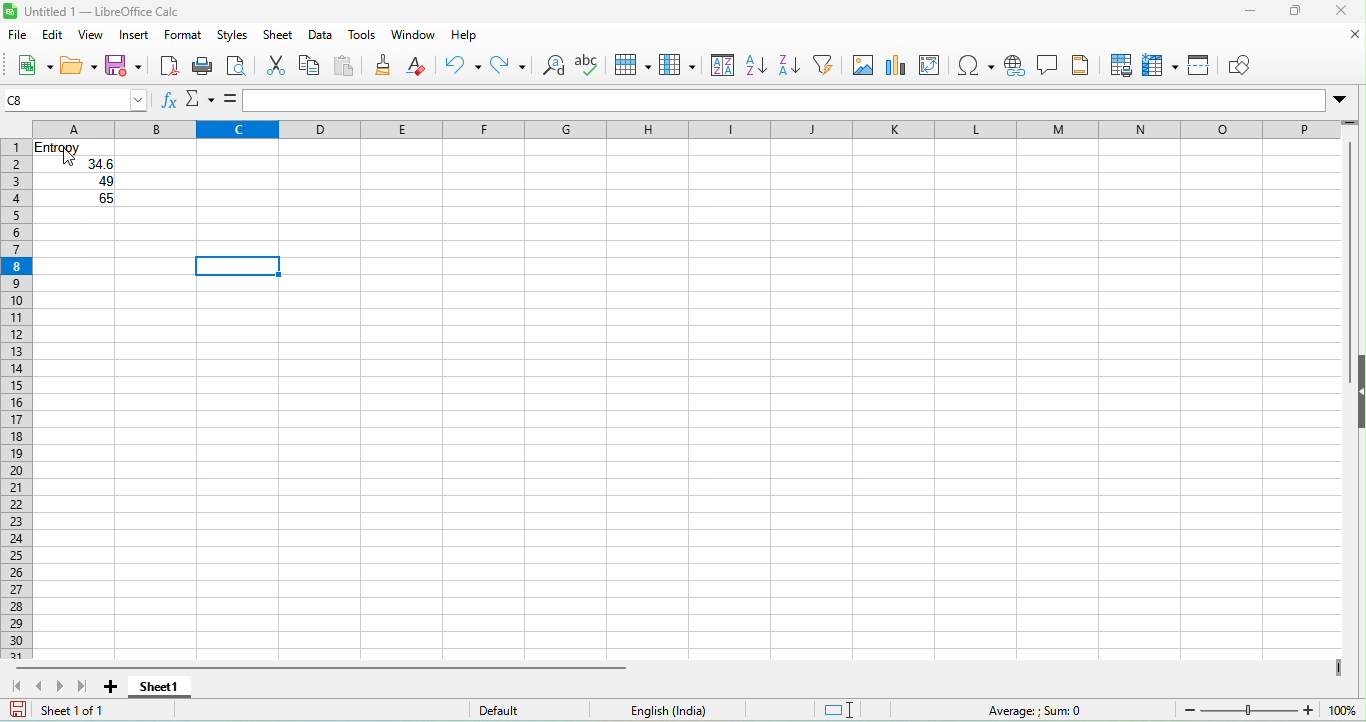 The width and height of the screenshot is (1366, 722). Describe the element at coordinates (1052, 67) in the screenshot. I see `insert a comment` at that location.